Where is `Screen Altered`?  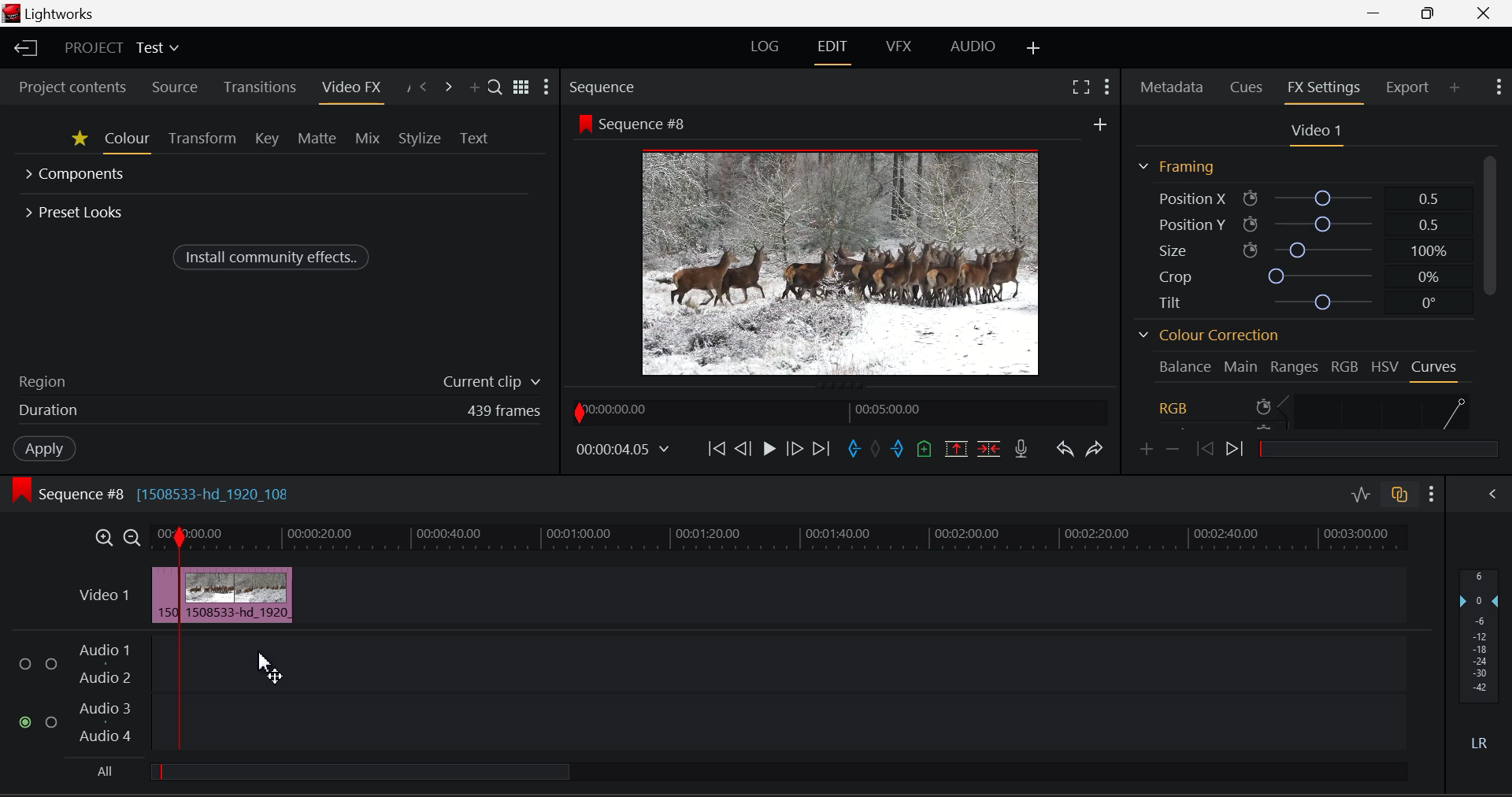
Screen Altered is located at coordinates (841, 261).